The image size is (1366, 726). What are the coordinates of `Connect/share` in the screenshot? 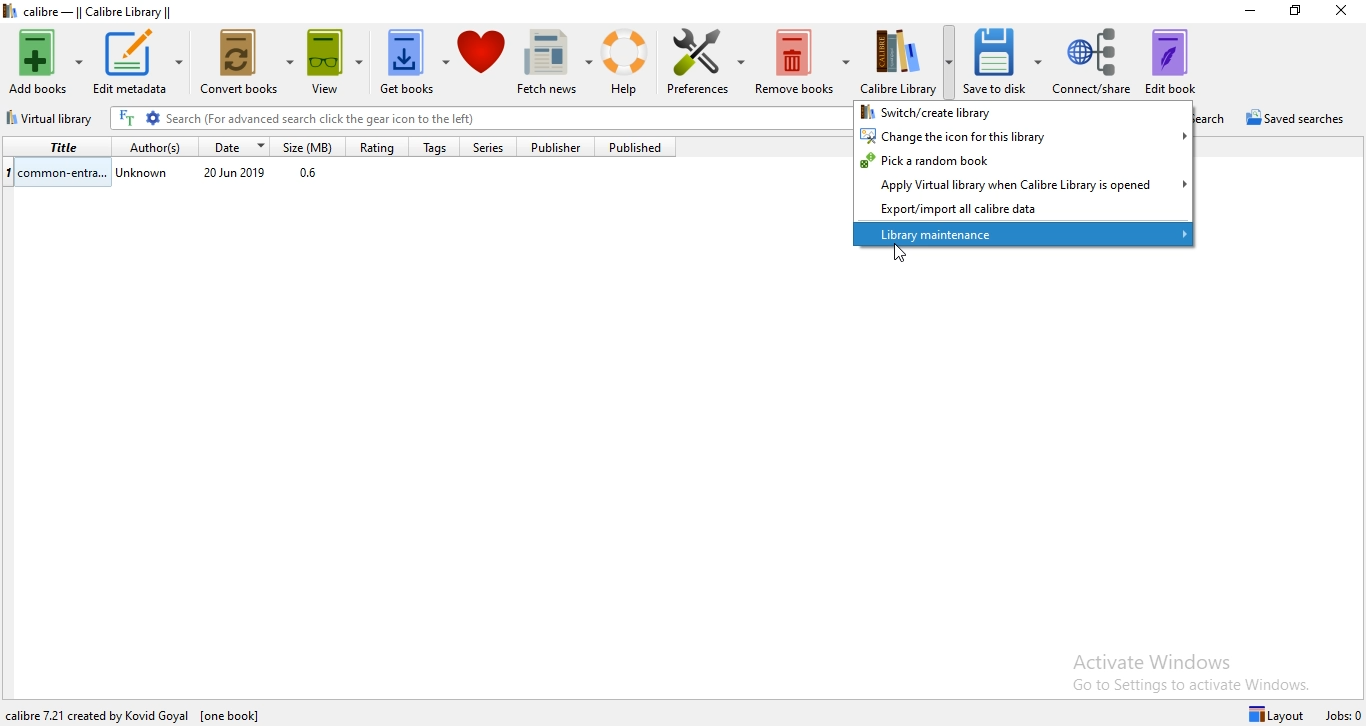 It's located at (1093, 59).